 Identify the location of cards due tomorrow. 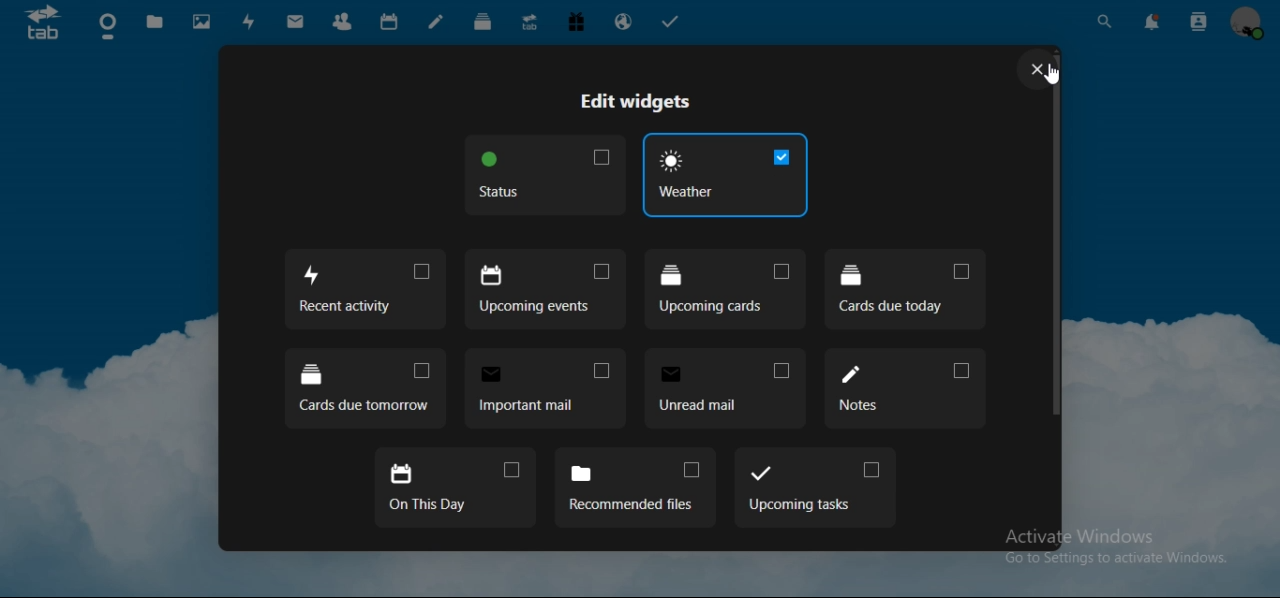
(365, 390).